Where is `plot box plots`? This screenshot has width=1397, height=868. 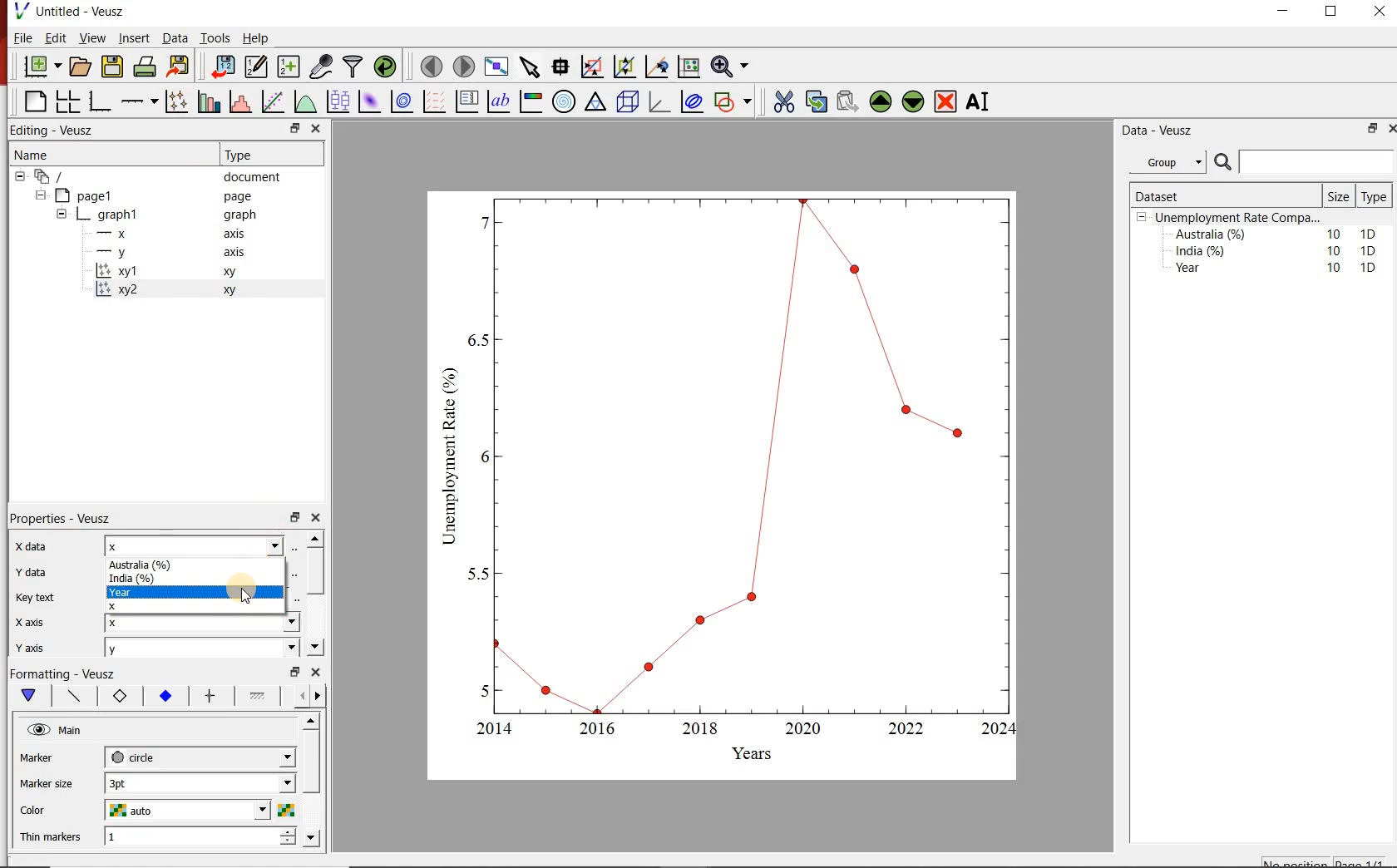
plot box plots is located at coordinates (338, 101).